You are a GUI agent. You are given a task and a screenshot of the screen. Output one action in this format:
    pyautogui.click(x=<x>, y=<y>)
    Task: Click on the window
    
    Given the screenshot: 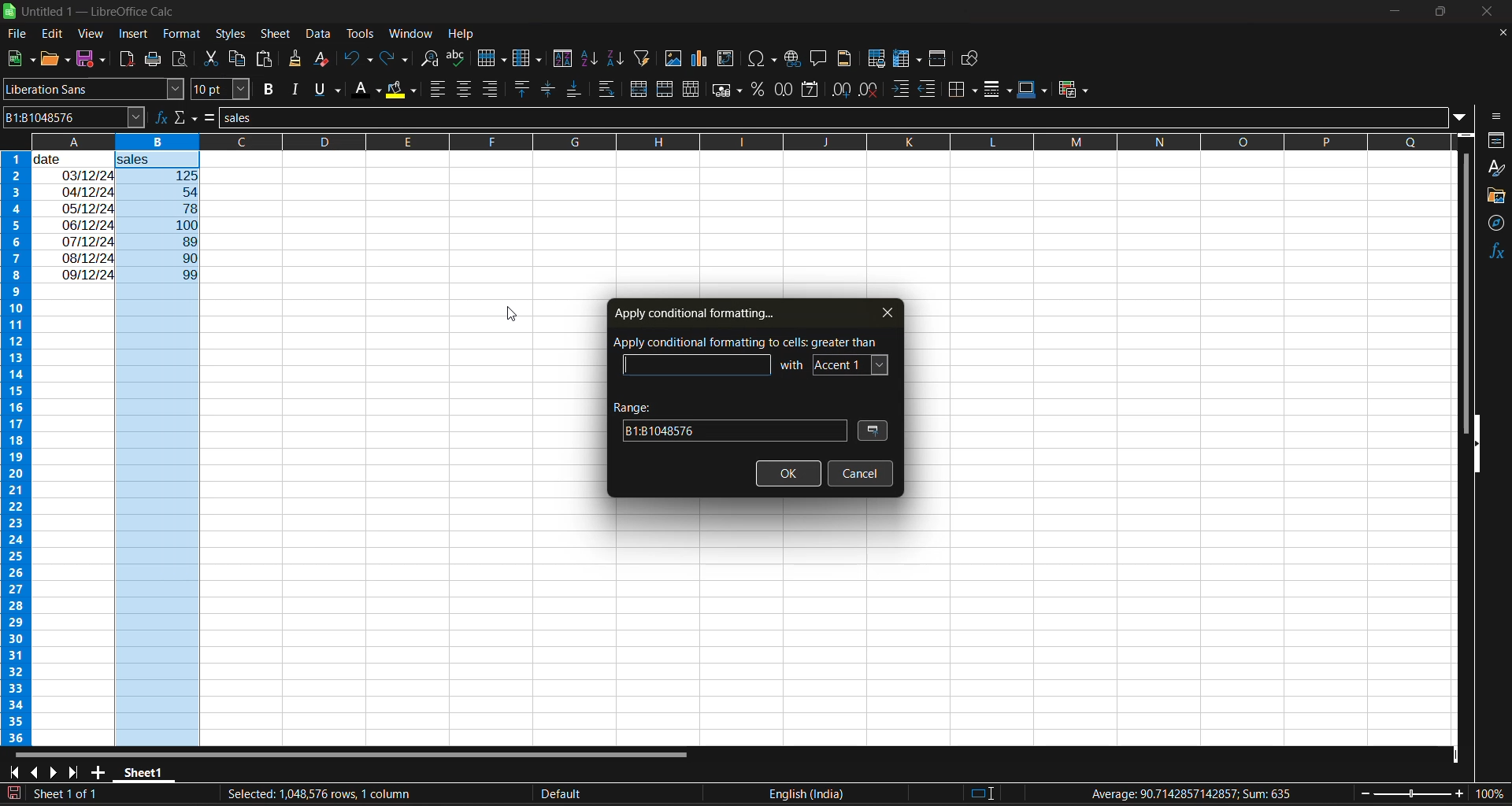 What is the action you would take?
    pyautogui.click(x=409, y=35)
    